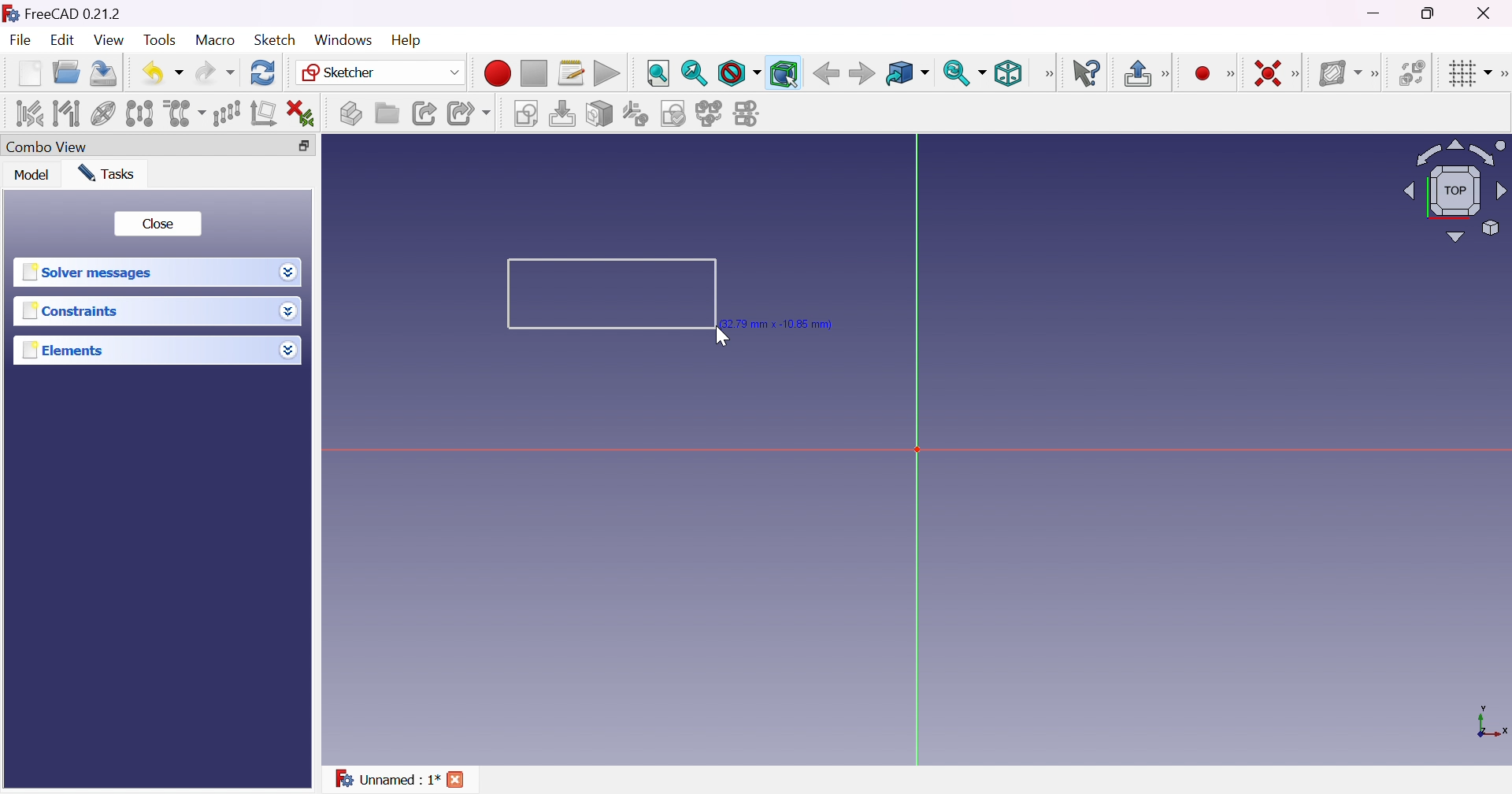 The height and width of the screenshot is (794, 1512). Describe the element at coordinates (350, 112) in the screenshot. I see `Create part` at that location.